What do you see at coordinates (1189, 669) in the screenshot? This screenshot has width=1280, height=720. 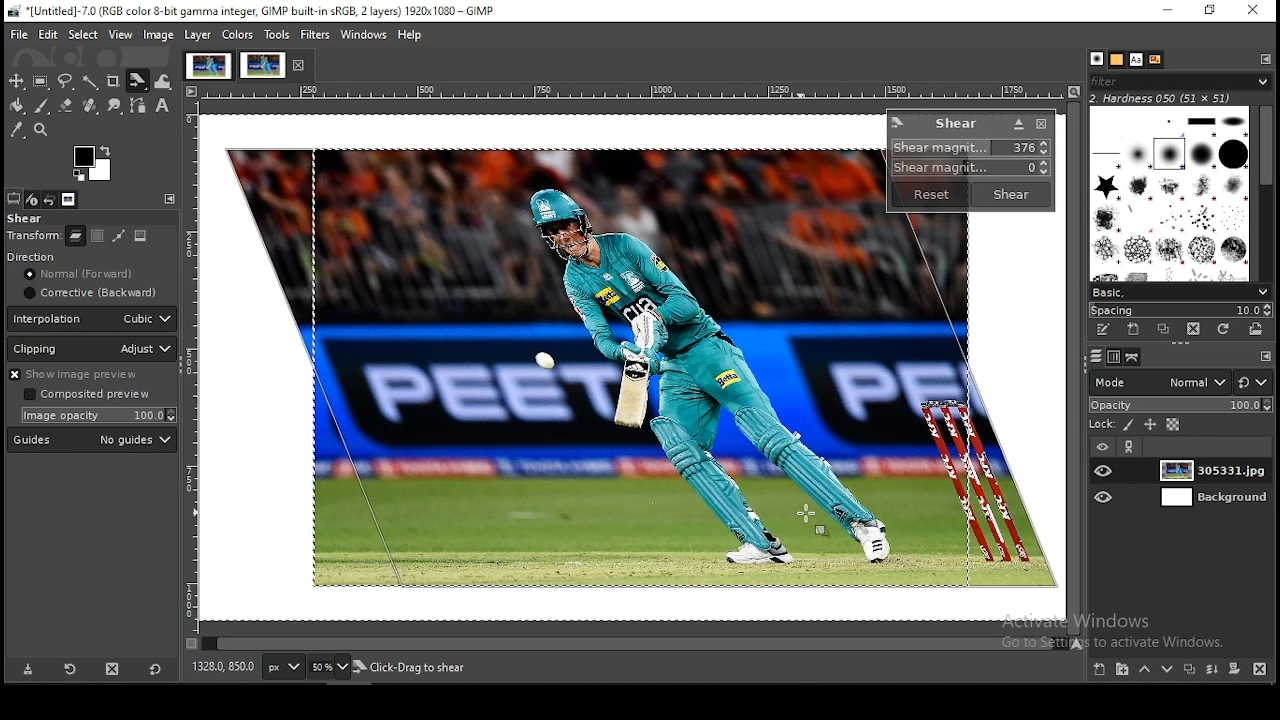 I see `duplicate layer` at bounding box center [1189, 669].